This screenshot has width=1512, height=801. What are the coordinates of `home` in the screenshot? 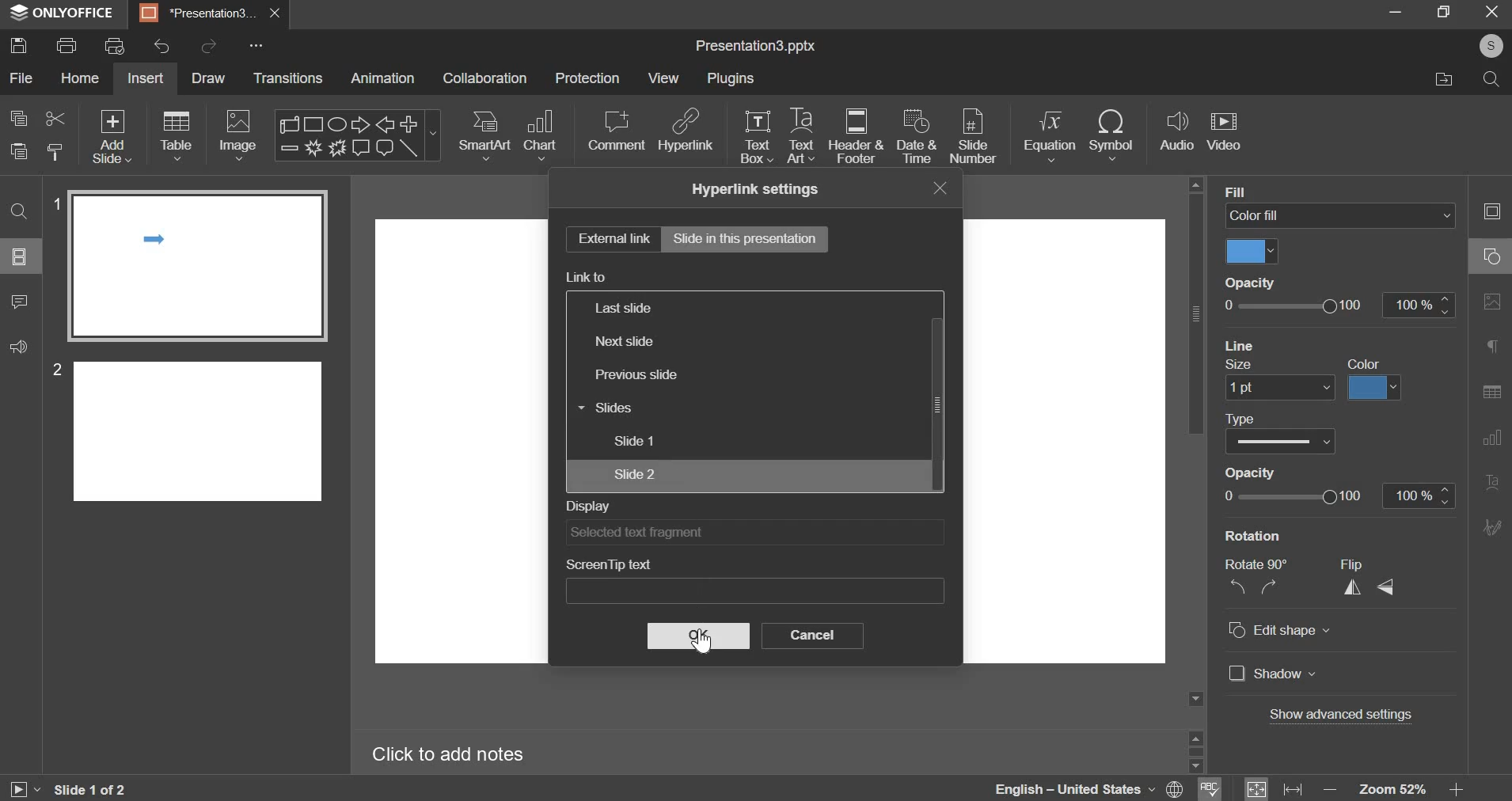 It's located at (81, 78).